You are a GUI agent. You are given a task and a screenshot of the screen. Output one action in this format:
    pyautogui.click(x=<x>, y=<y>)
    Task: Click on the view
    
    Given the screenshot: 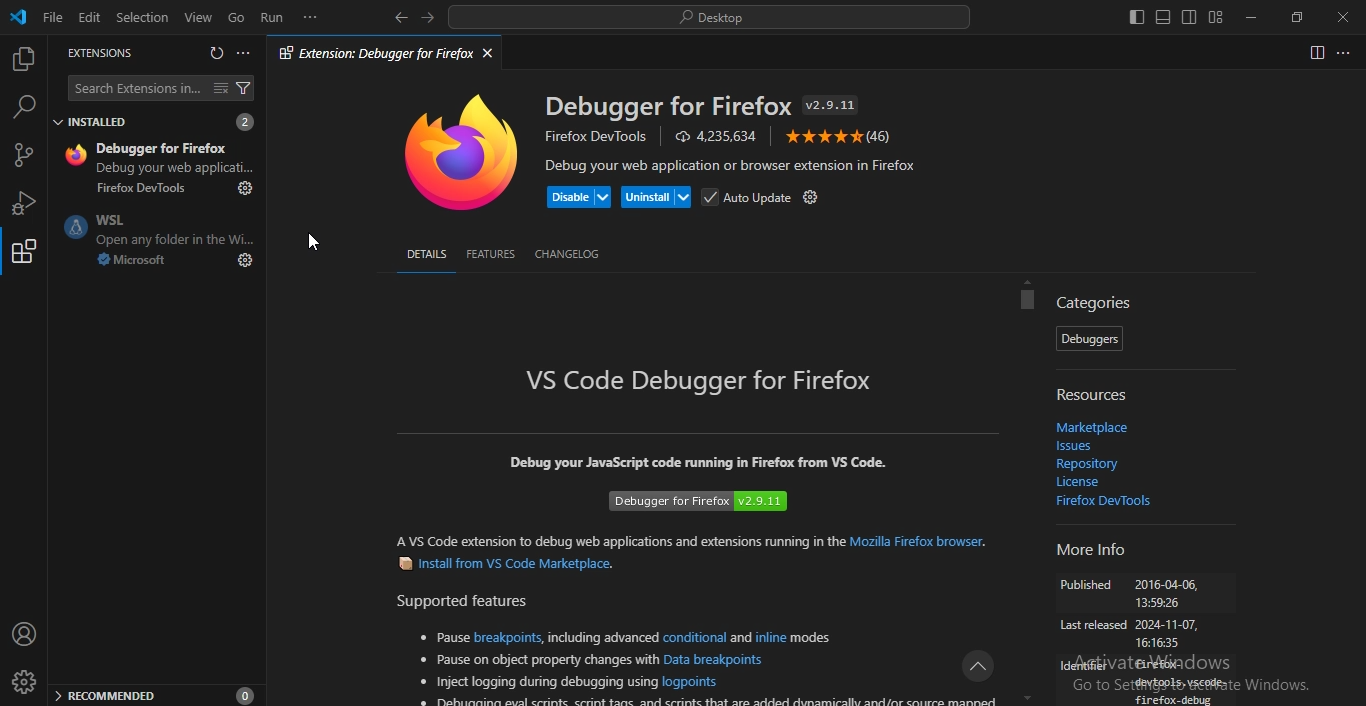 What is the action you would take?
    pyautogui.click(x=198, y=16)
    